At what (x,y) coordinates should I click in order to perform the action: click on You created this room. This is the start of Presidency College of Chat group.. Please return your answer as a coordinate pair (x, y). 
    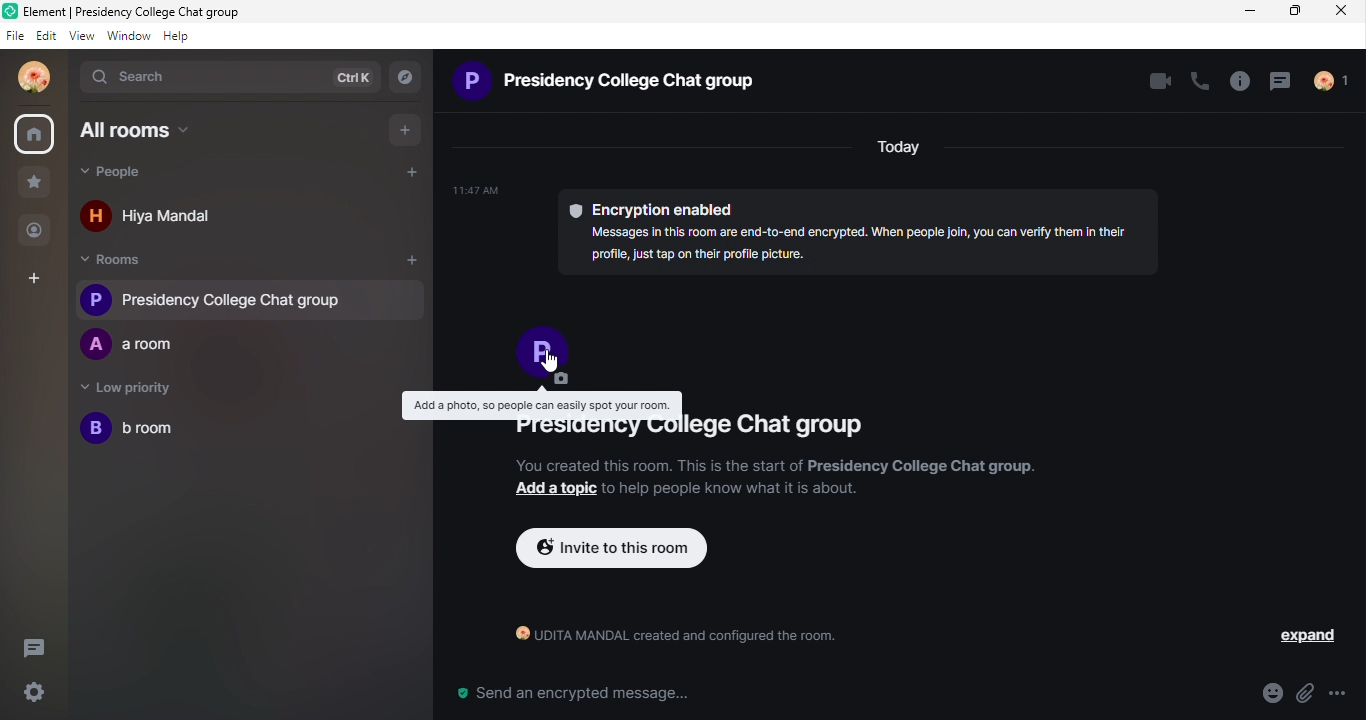
    Looking at the image, I should click on (771, 466).